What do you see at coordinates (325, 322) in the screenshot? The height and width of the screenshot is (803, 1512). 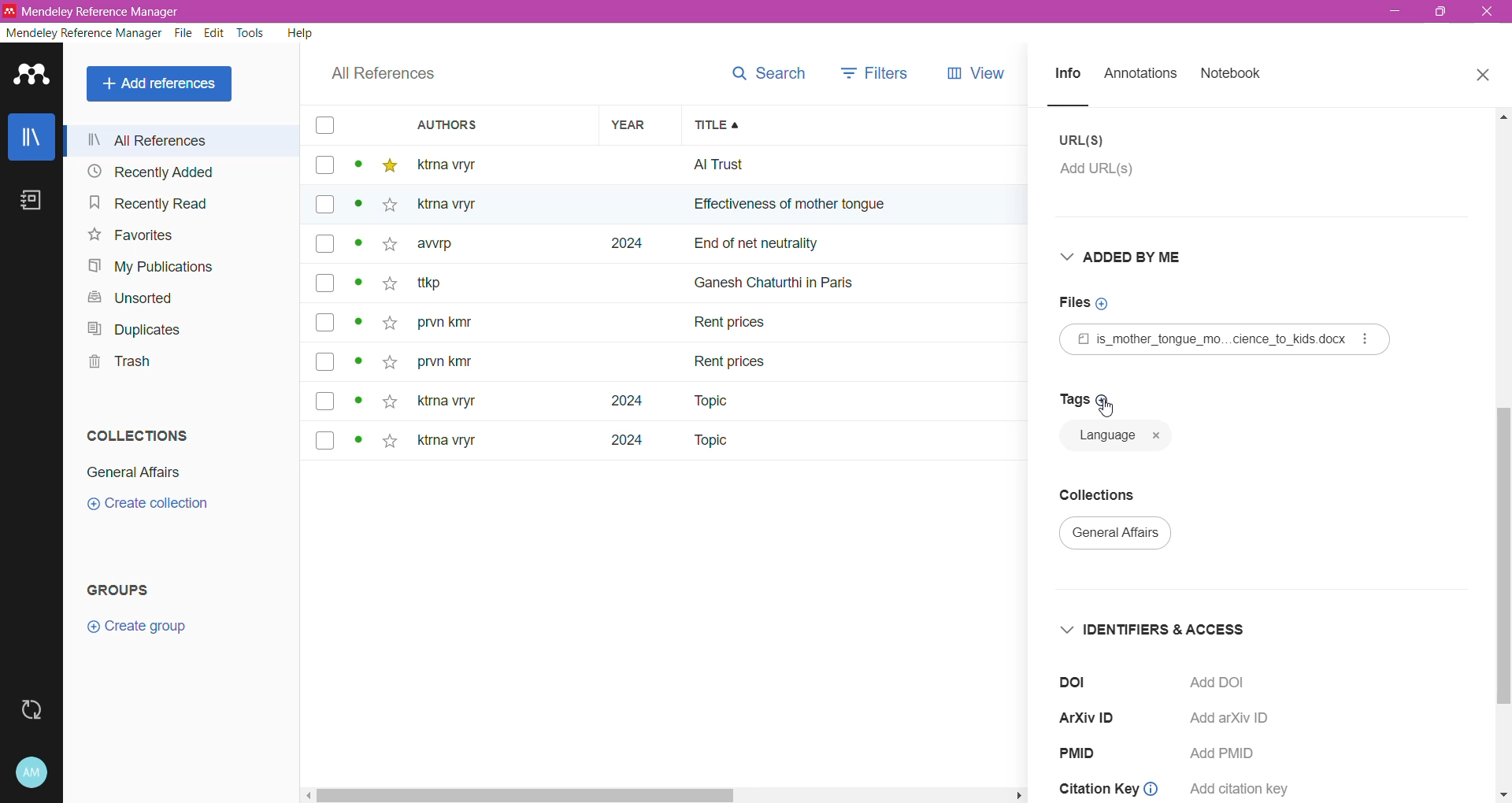 I see `box` at bounding box center [325, 322].